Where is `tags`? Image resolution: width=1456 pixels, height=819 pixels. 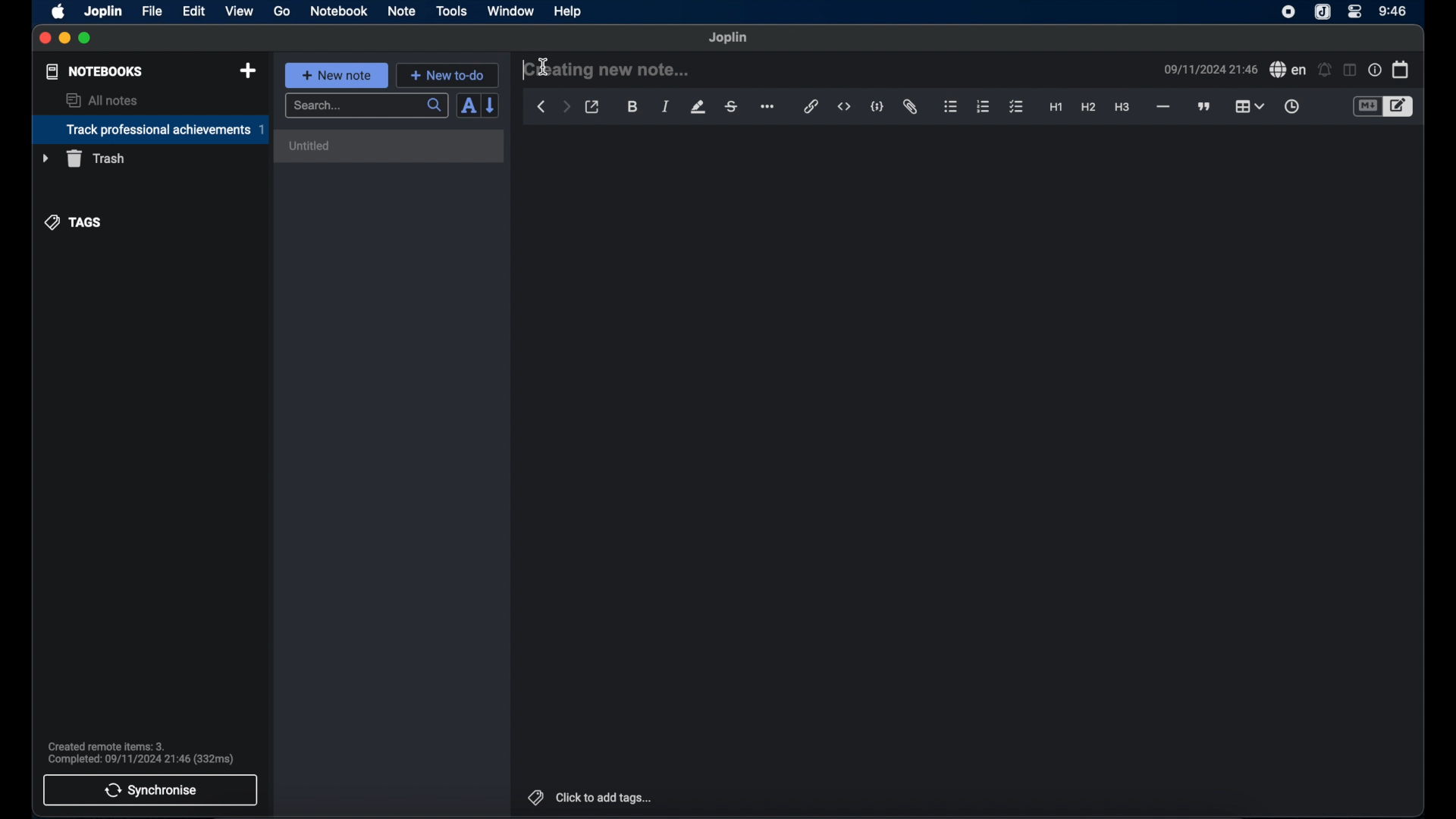
tags is located at coordinates (74, 221).